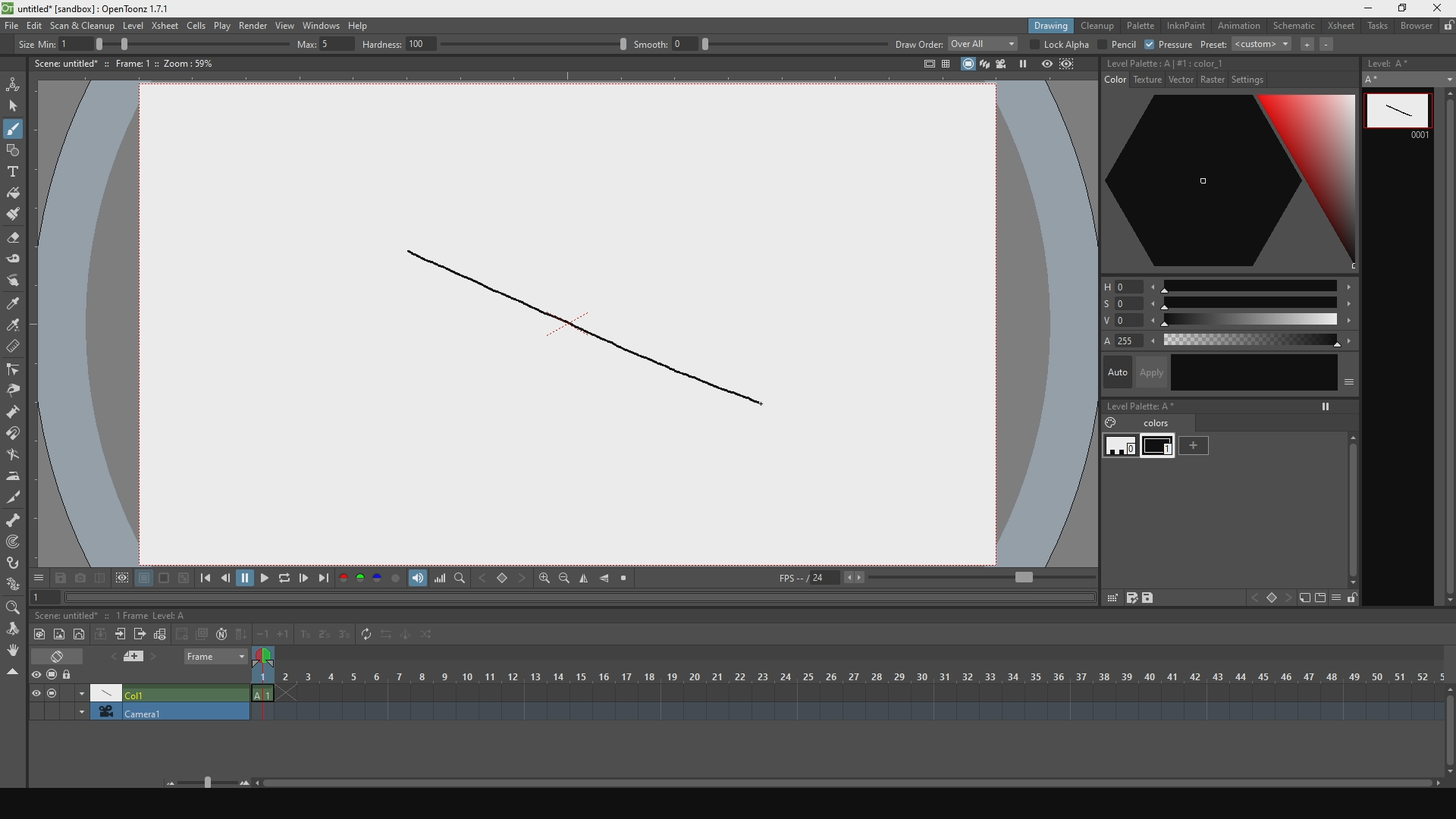 This screenshot has width=1456, height=819. What do you see at coordinates (79, 579) in the screenshot?
I see `capture` at bounding box center [79, 579].